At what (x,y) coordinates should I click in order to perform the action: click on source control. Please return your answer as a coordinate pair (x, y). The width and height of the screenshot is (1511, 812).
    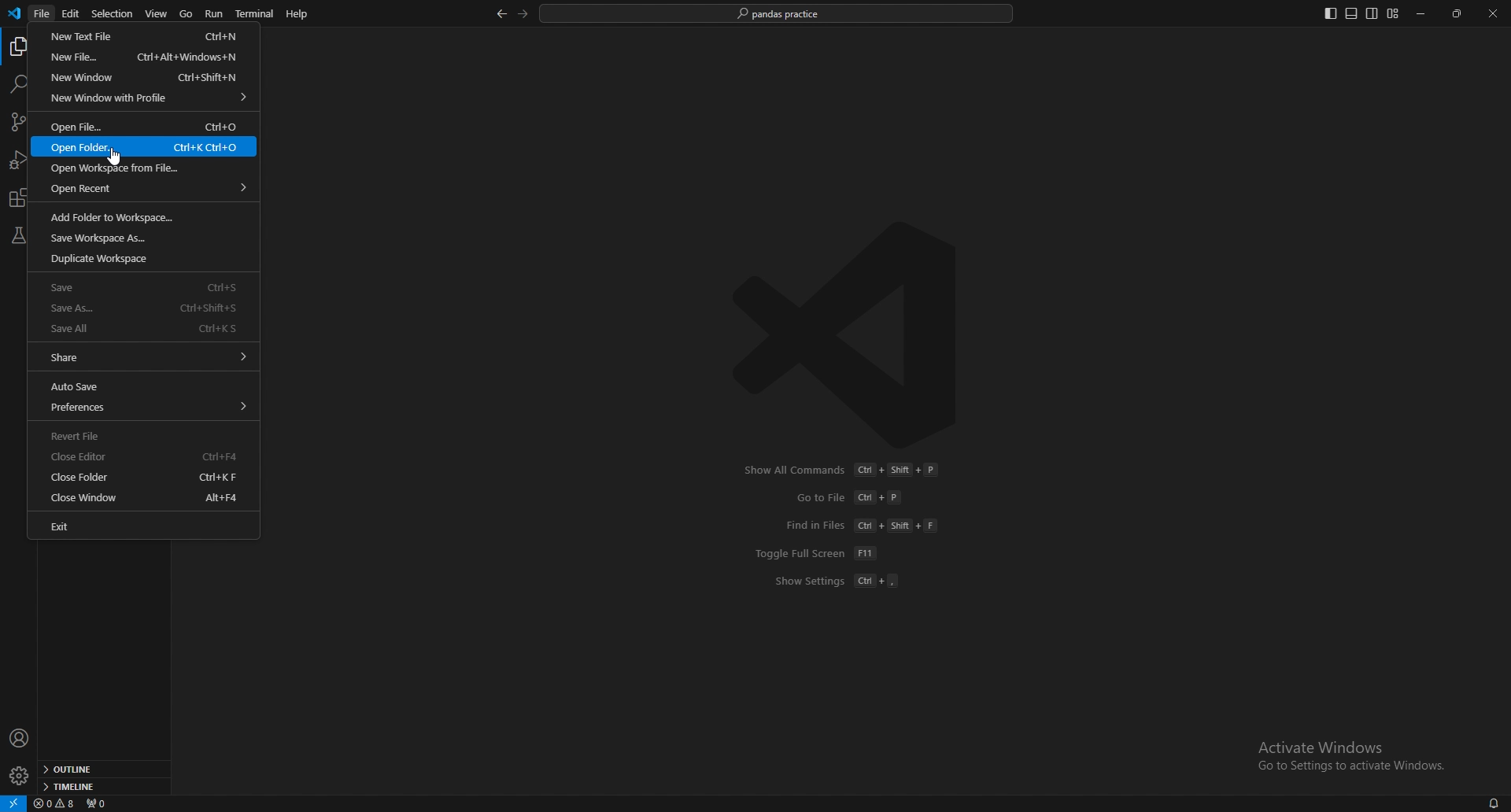
    Looking at the image, I should click on (17, 122).